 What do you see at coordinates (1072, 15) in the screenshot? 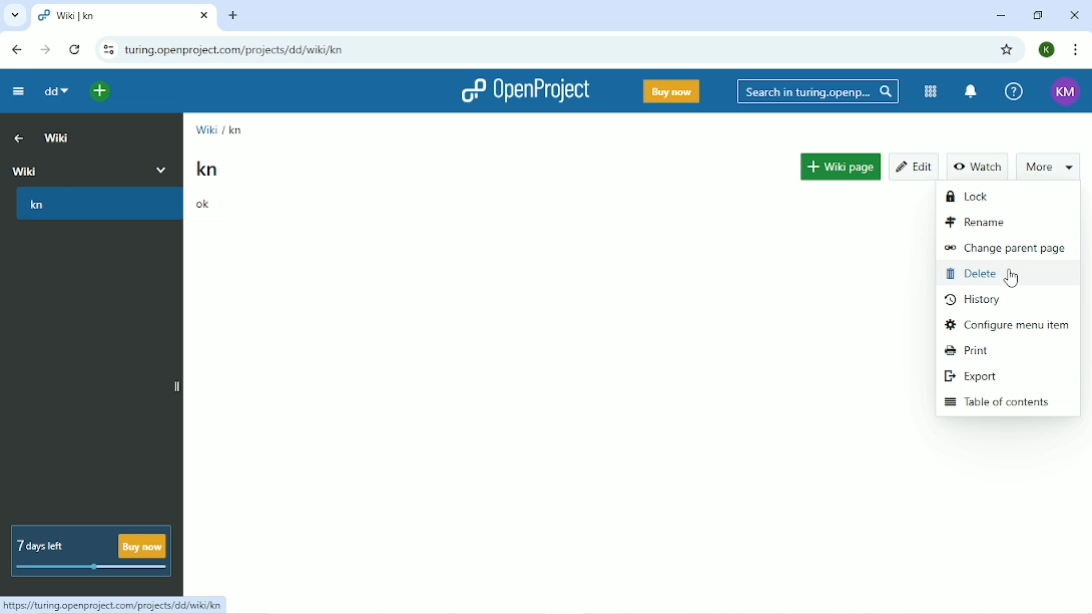
I see `Close` at bounding box center [1072, 15].